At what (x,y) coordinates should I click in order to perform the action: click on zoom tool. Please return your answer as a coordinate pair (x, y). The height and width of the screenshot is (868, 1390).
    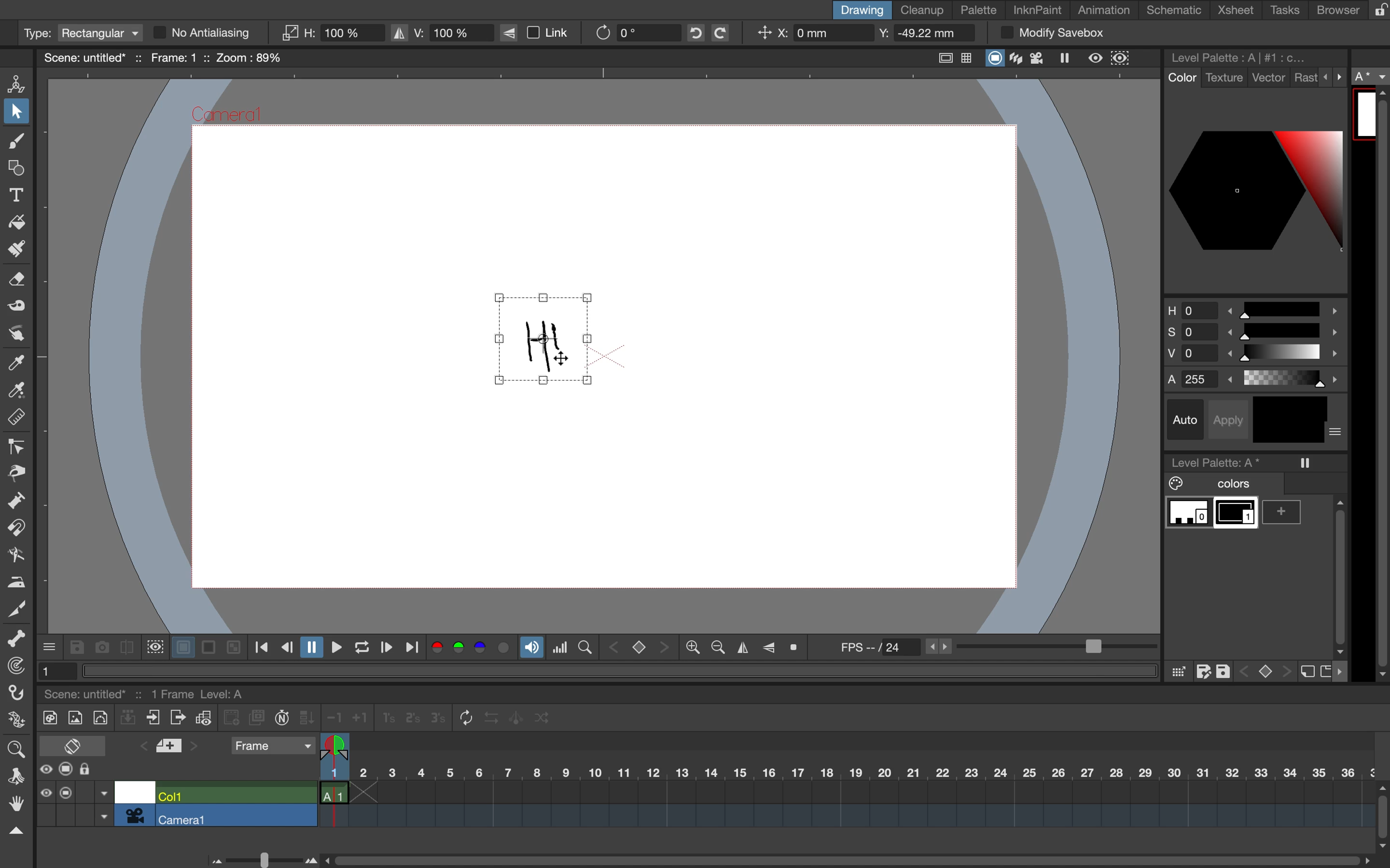
    Looking at the image, I should click on (15, 747).